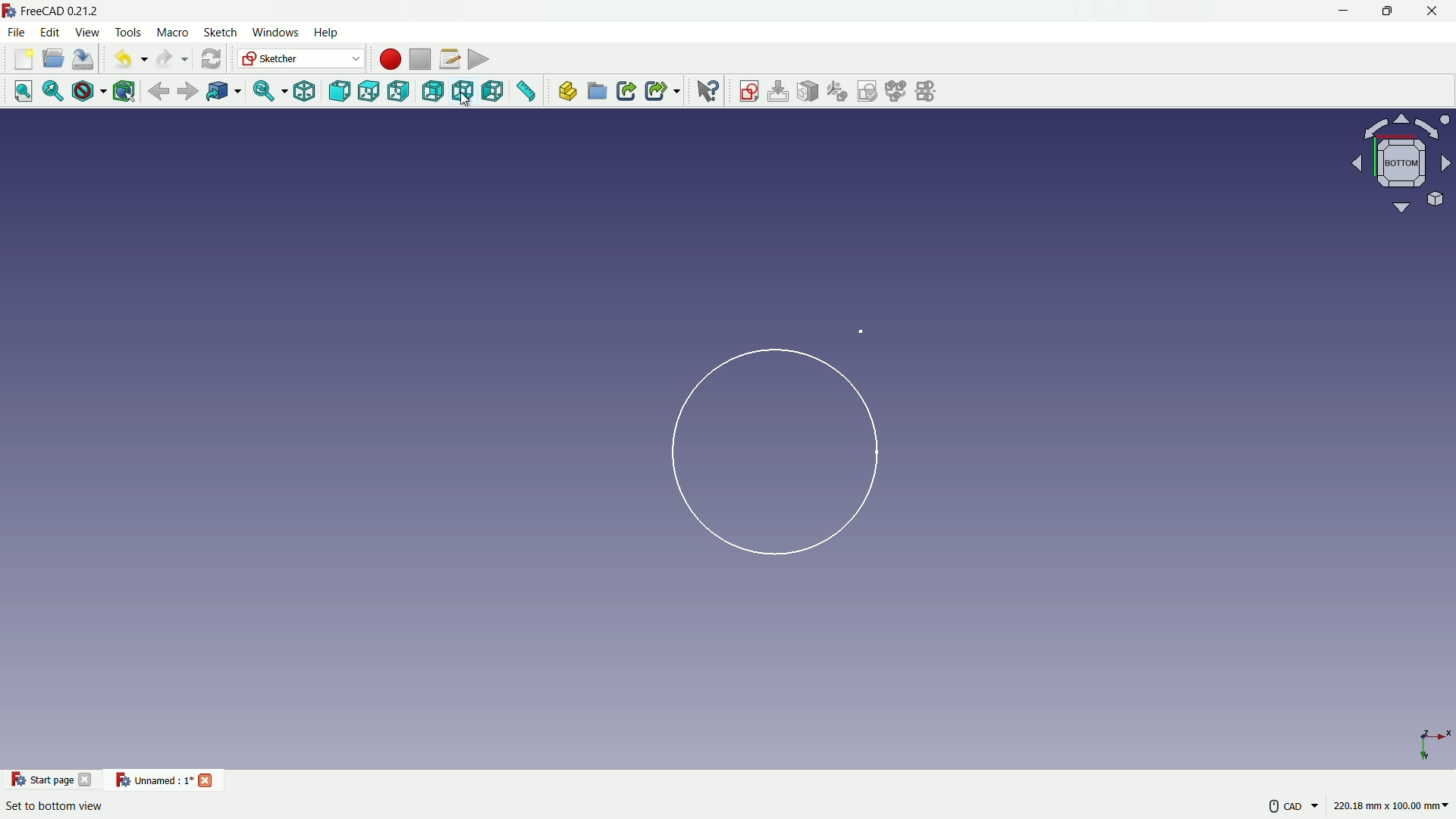 This screenshot has width=1456, height=819. What do you see at coordinates (1386, 13) in the screenshot?
I see `maximize or restore` at bounding box center [1386, 13].